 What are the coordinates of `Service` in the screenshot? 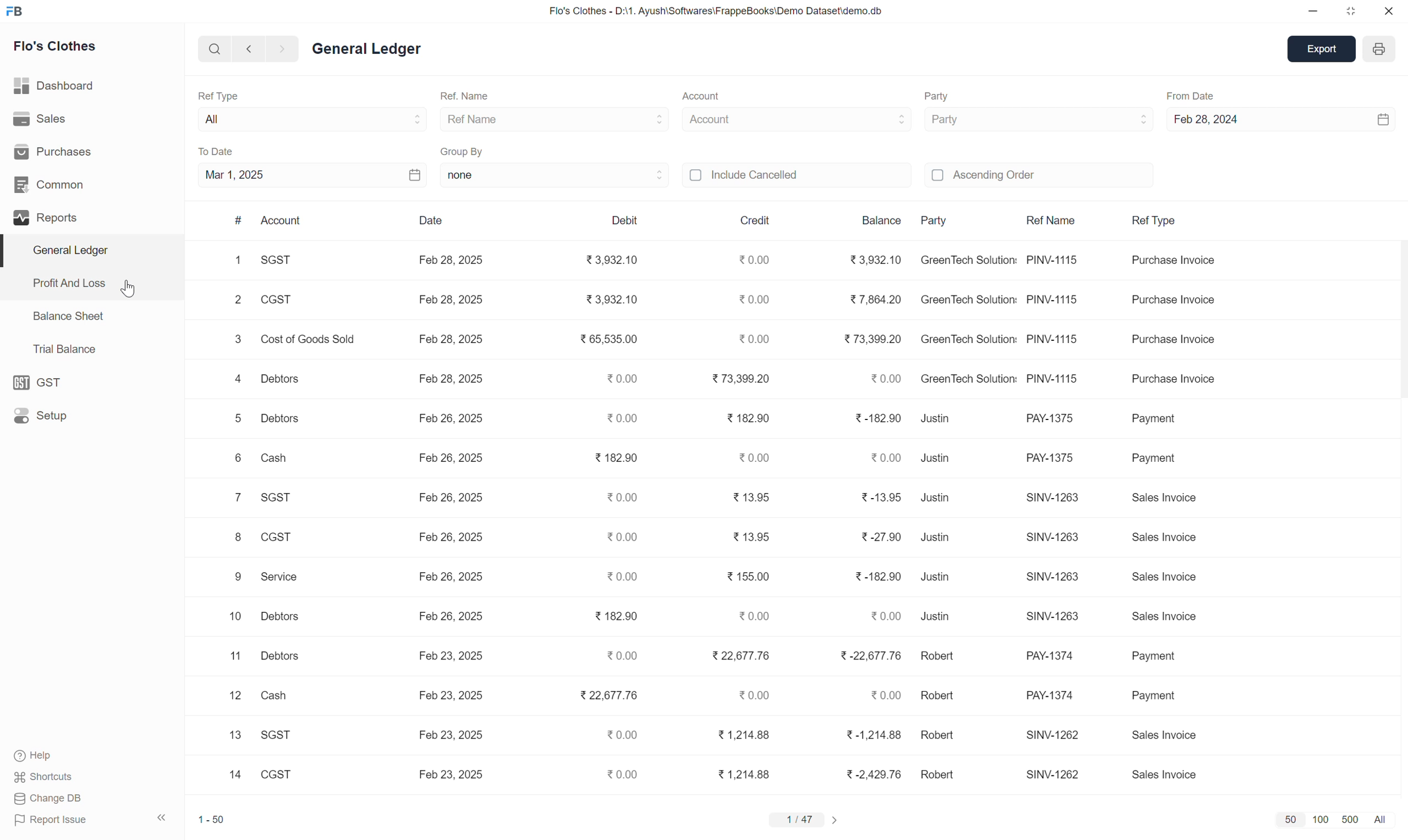 It's located at (286, 580).